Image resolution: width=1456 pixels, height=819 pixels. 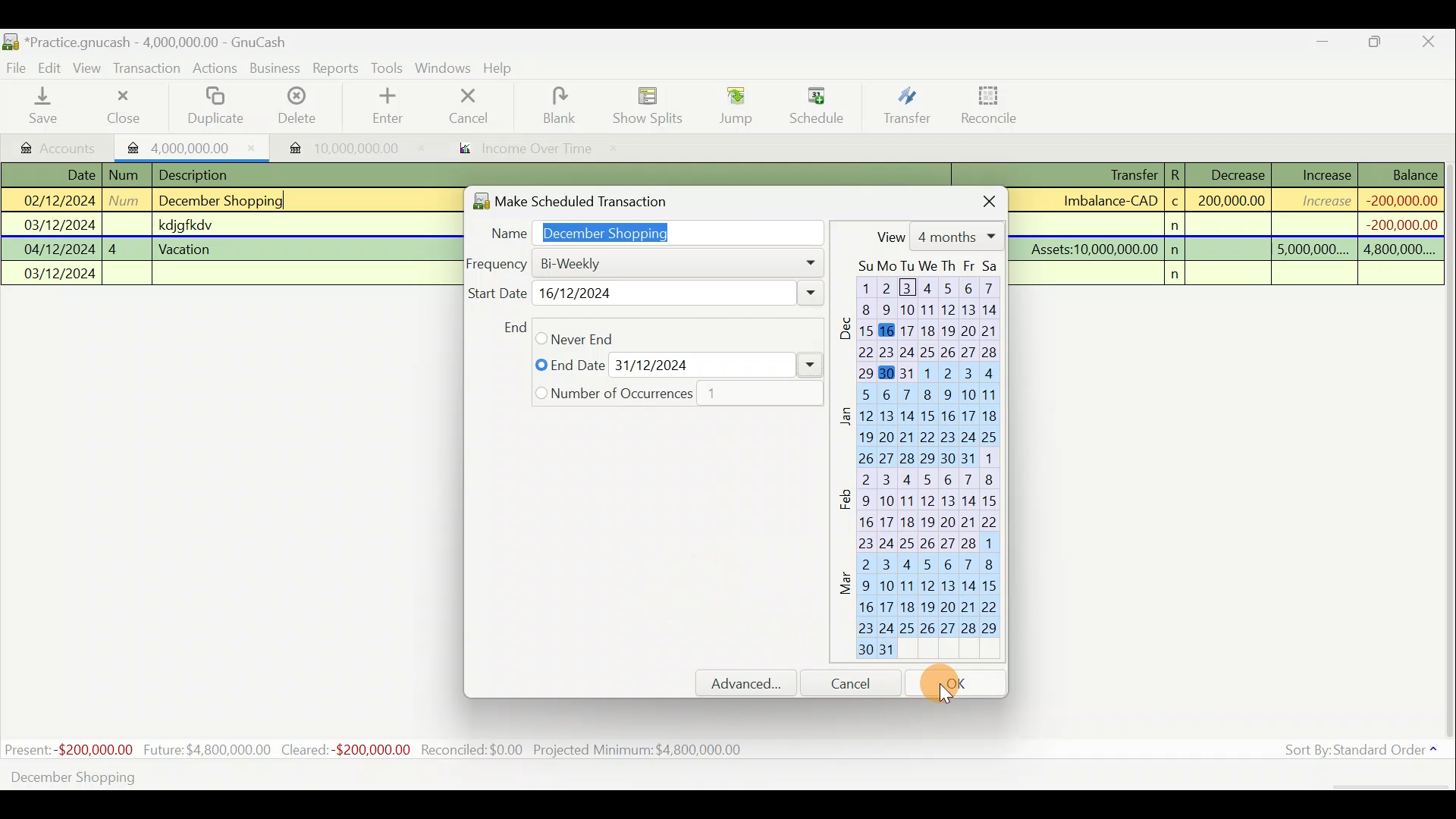 I want to click on Sort by, so click(x=1364, y=753).